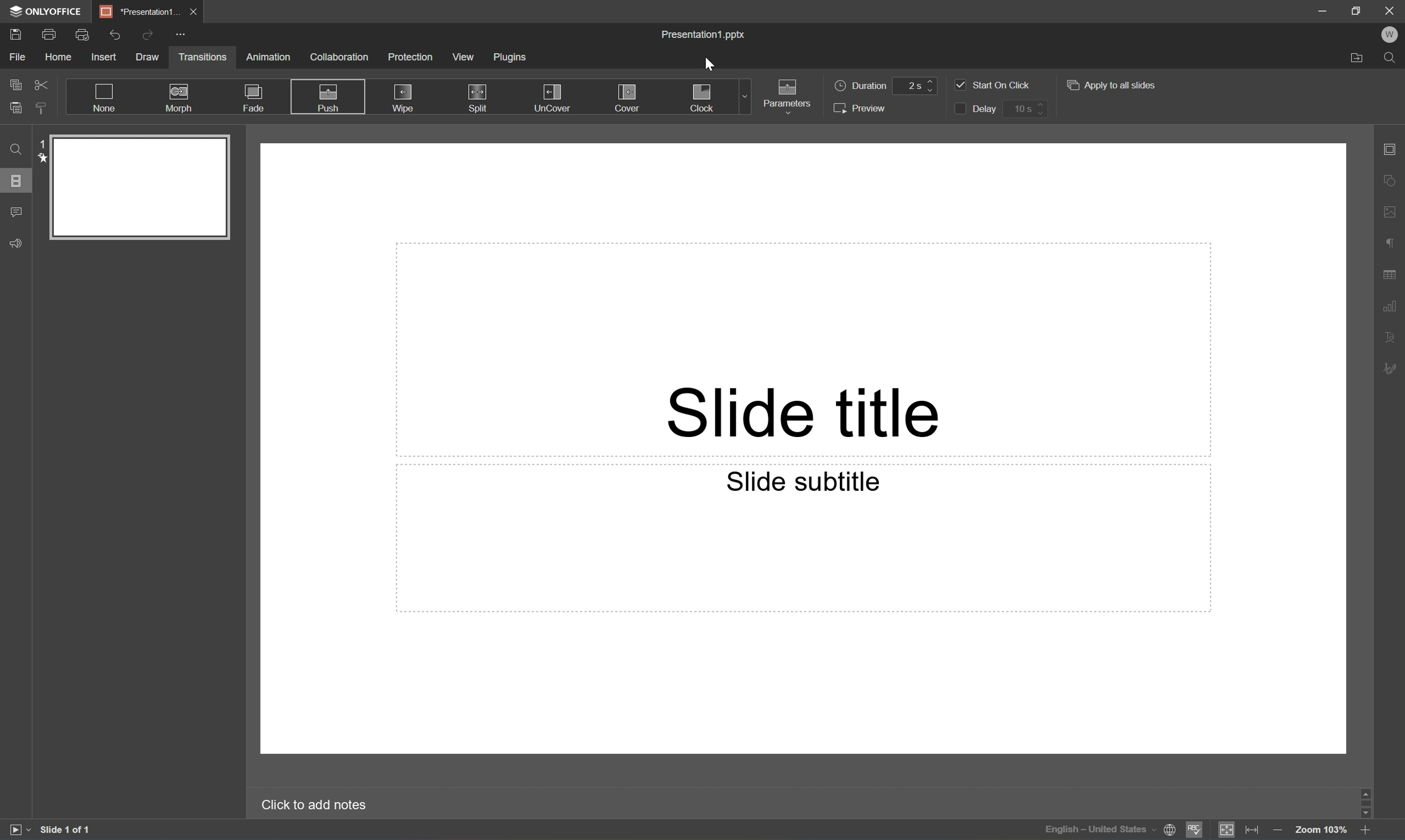 The height and width of the screenshot is (840, 1405). What do you see at coordinates (134, 187) in the screenshot?
I see `Slide 1` at bounding box center [134, 187].